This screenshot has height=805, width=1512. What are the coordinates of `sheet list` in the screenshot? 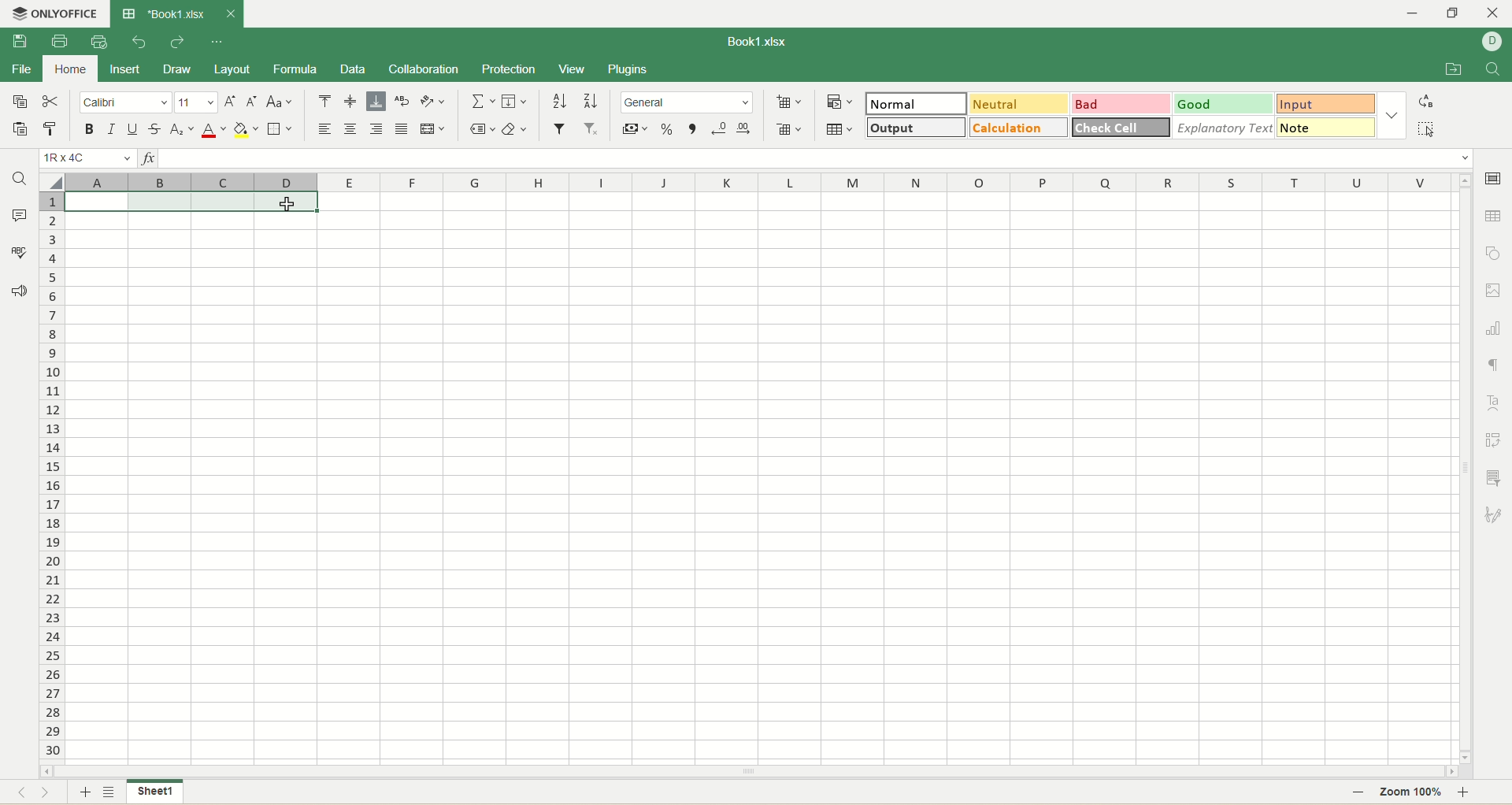 It's located at (111, 793).